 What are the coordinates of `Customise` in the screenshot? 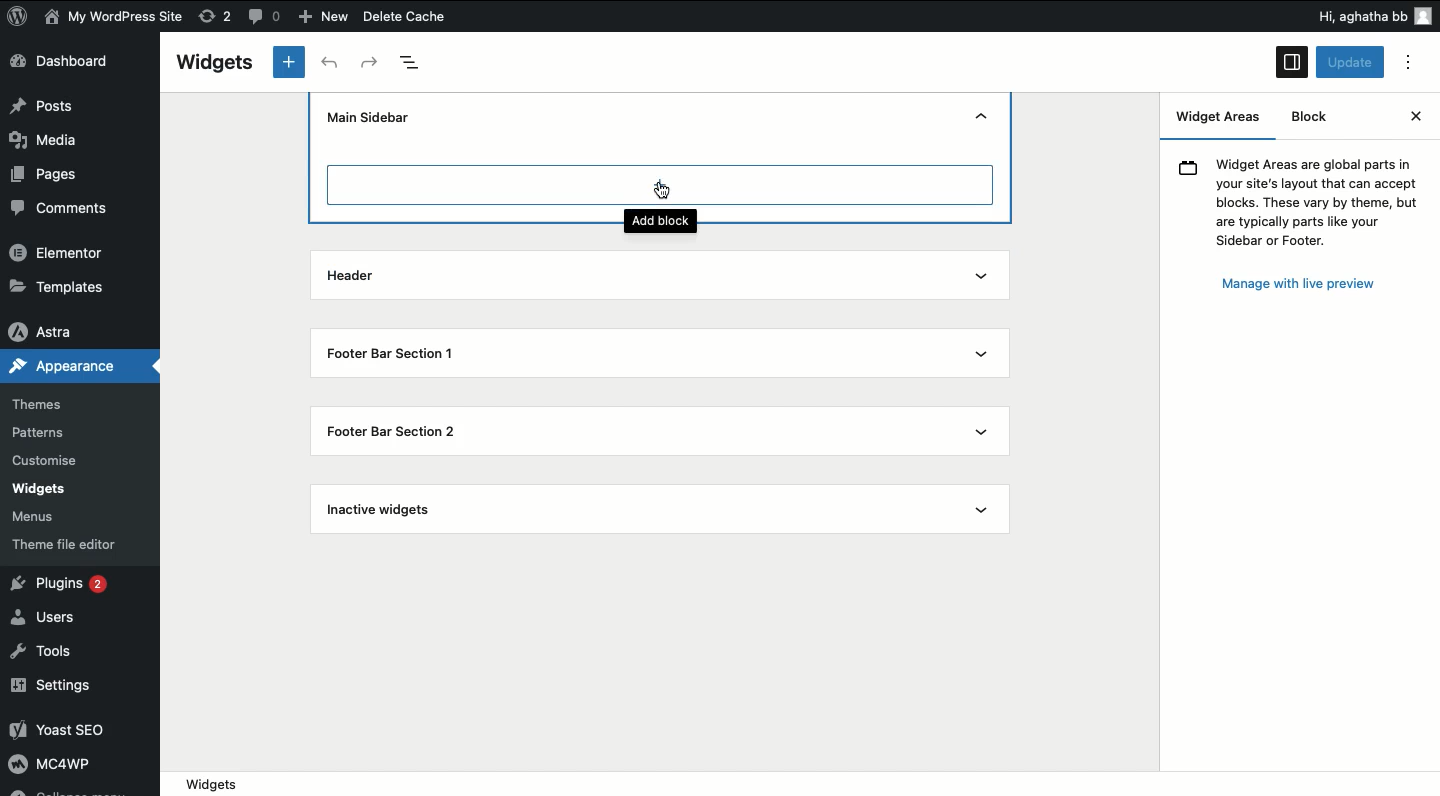 It's located at (46, 457).